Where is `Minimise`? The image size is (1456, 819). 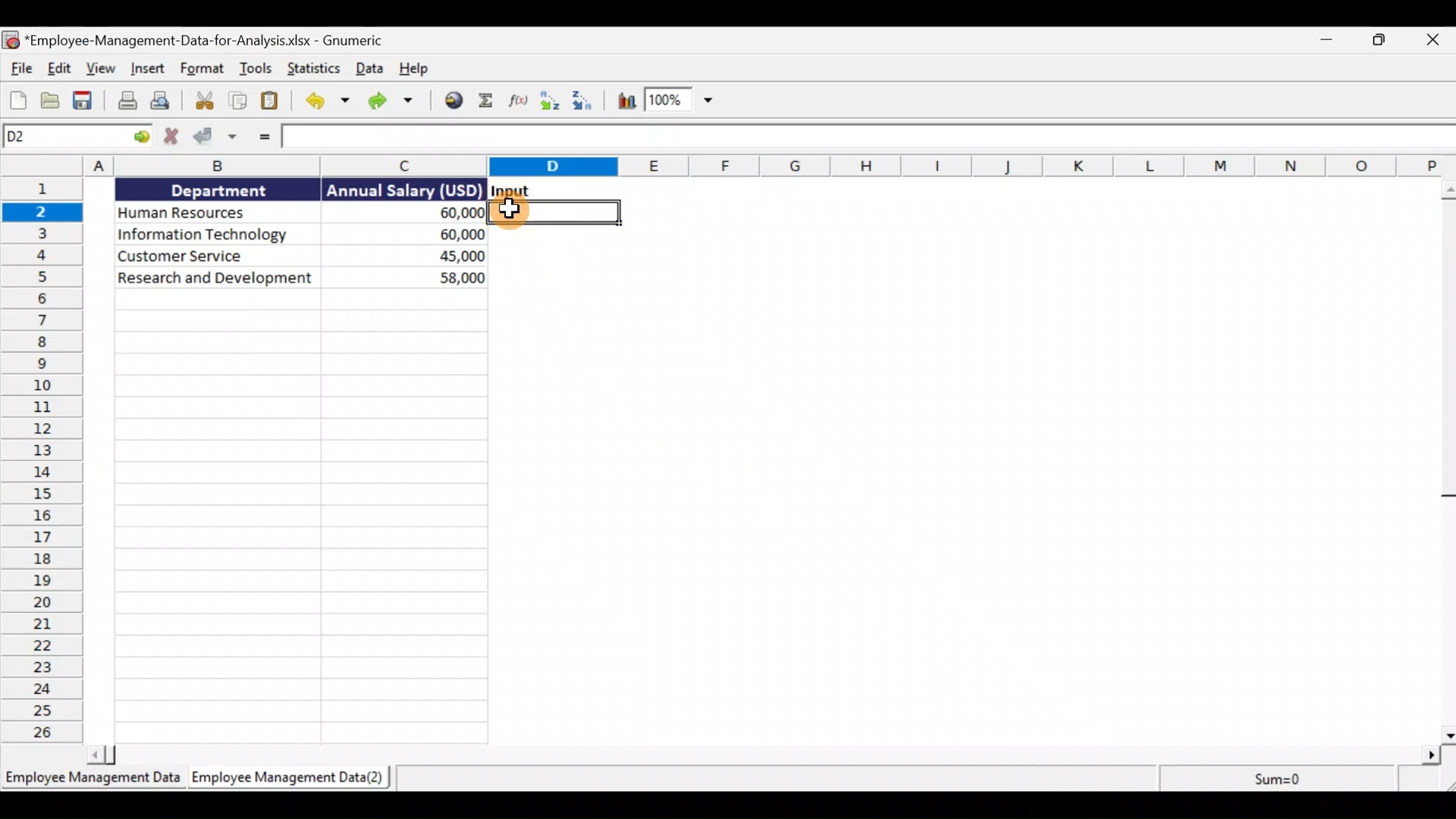 Minimise is located at coordinates (1323, 39).